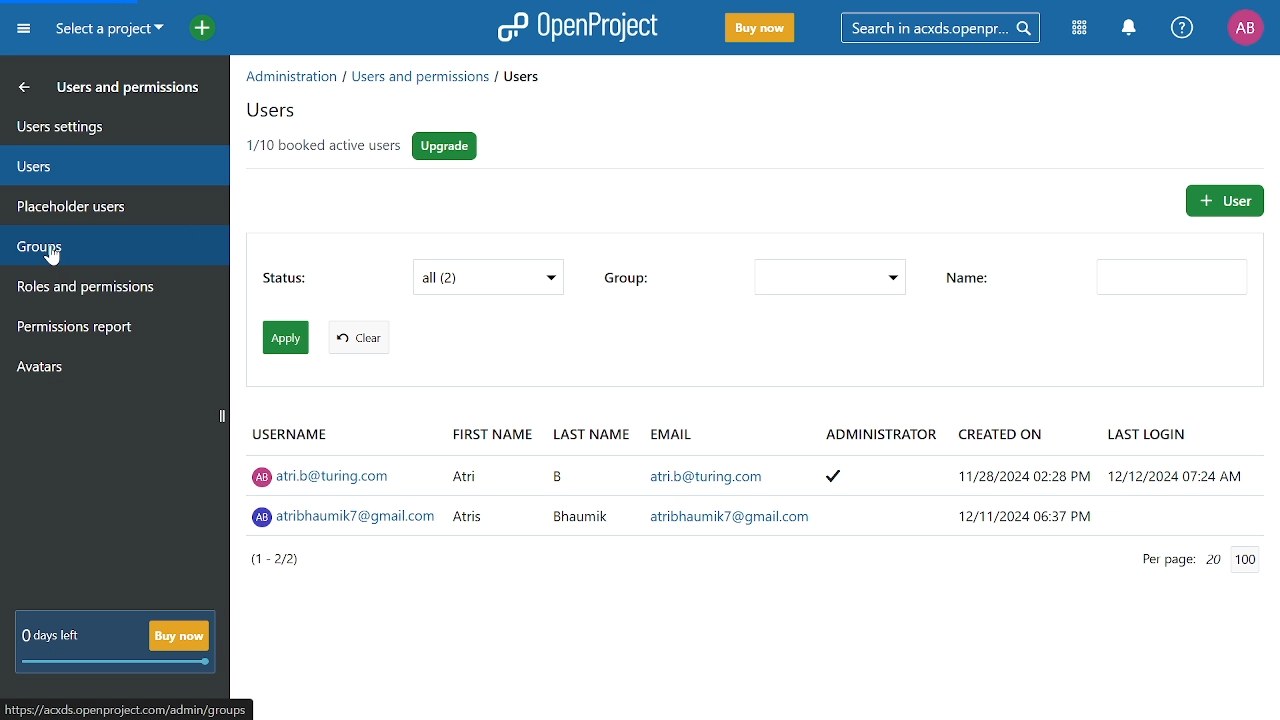  I want to click on per page, so click(1158, 561).